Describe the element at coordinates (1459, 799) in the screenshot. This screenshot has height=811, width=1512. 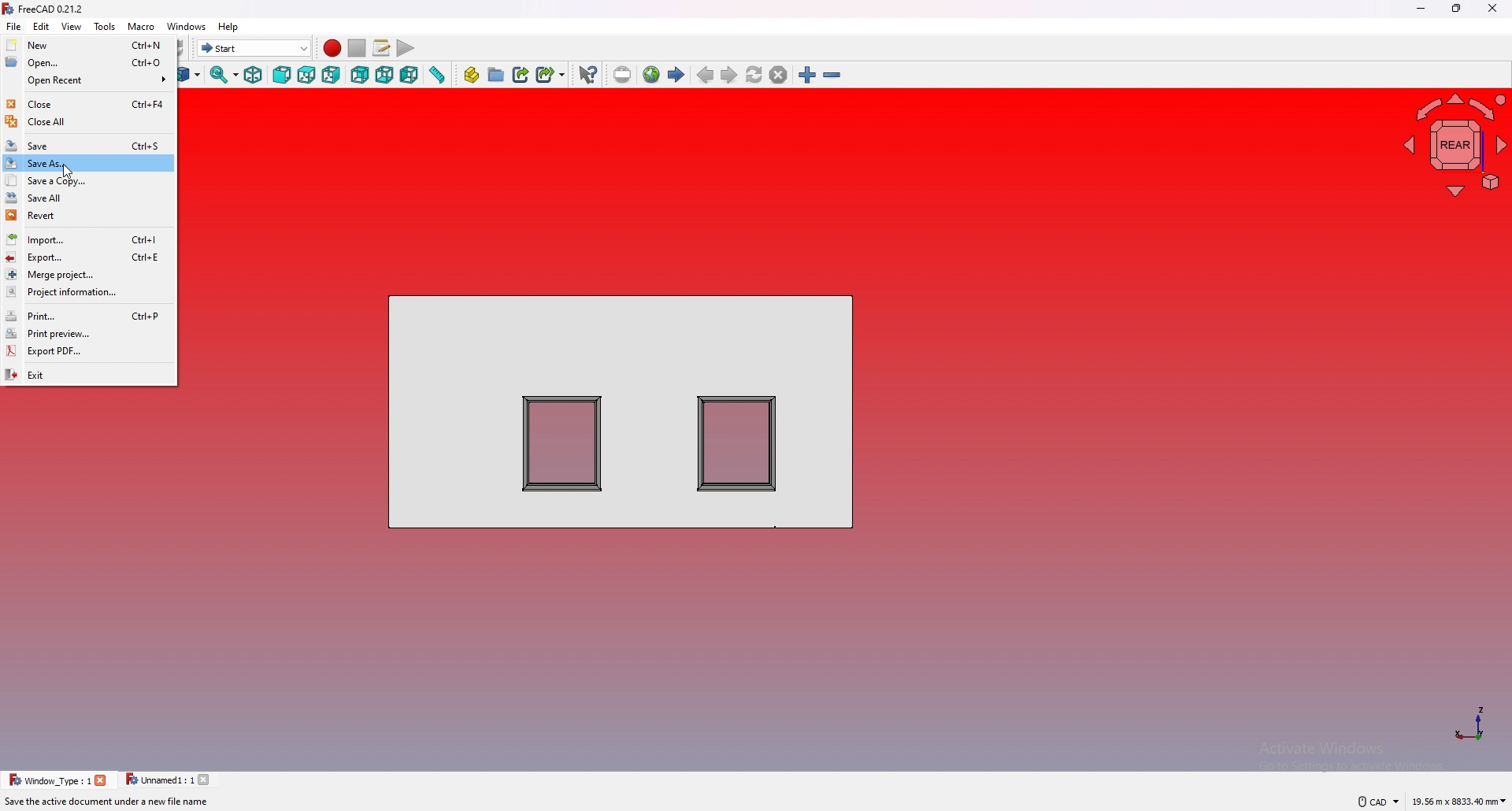
I see `19.56 m x 8833.40 mm ` at that location.